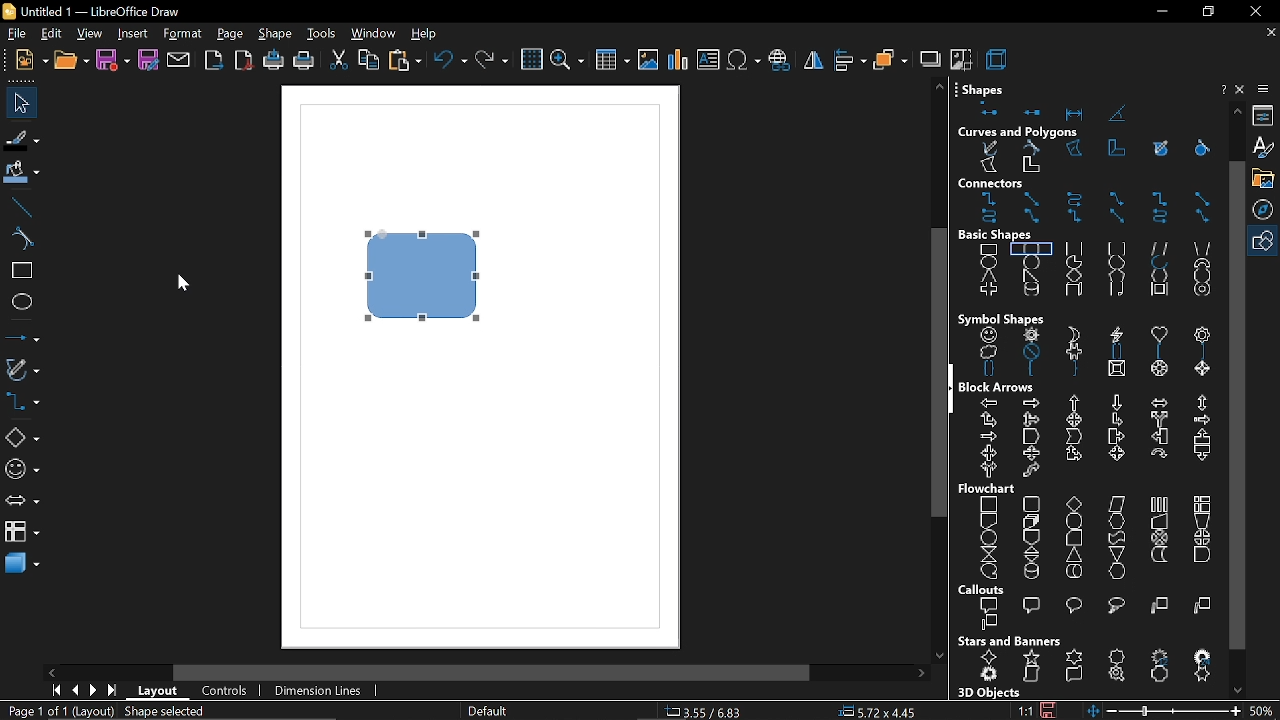 This screenshot has height=720, width=1280. What do you see at coordinates (1266, 179) in the screenshot?
I see `gallery` at bounding box center [1266, 179].